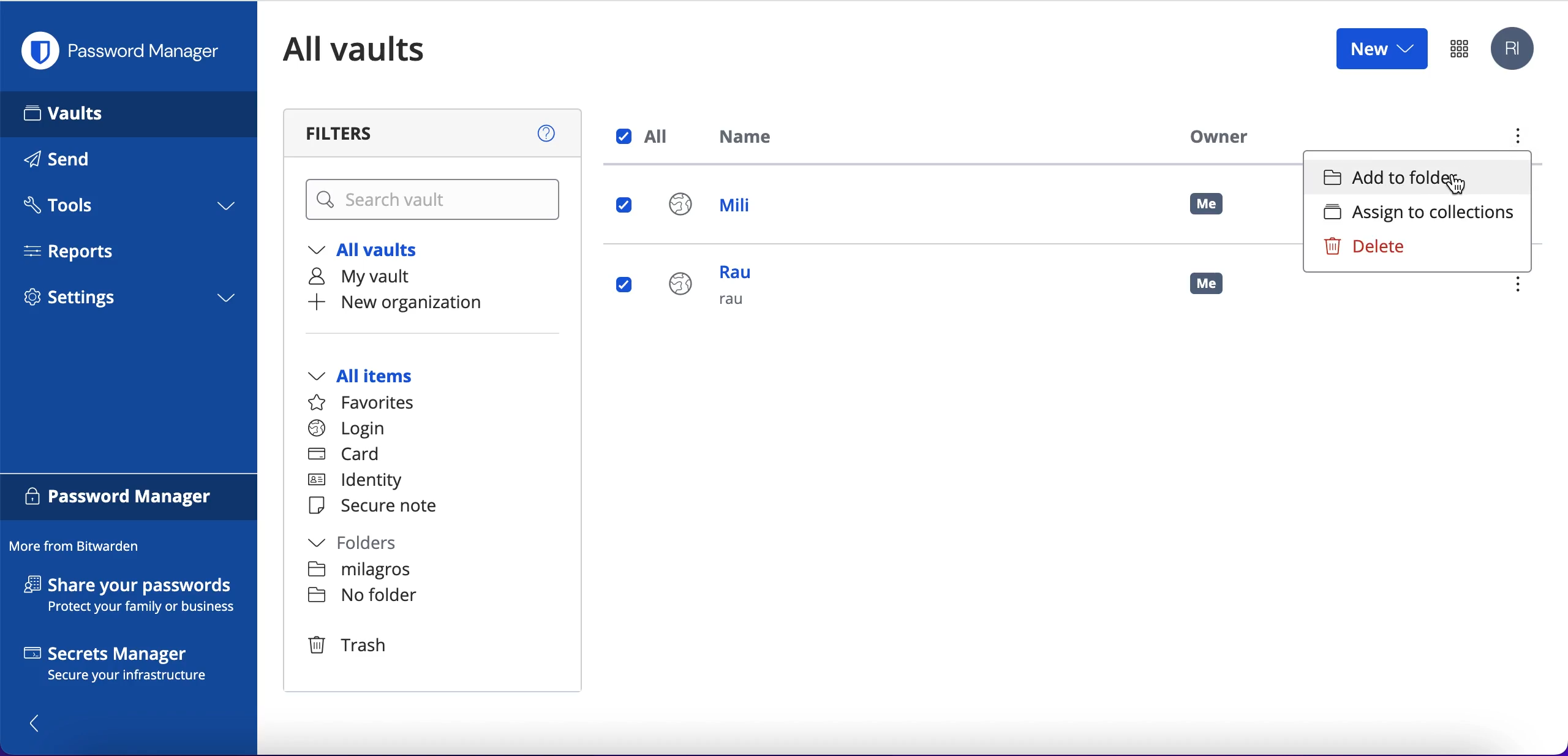  Describe the element at coordinates (1216, 289) in the screenshot. I see `me` at that location.